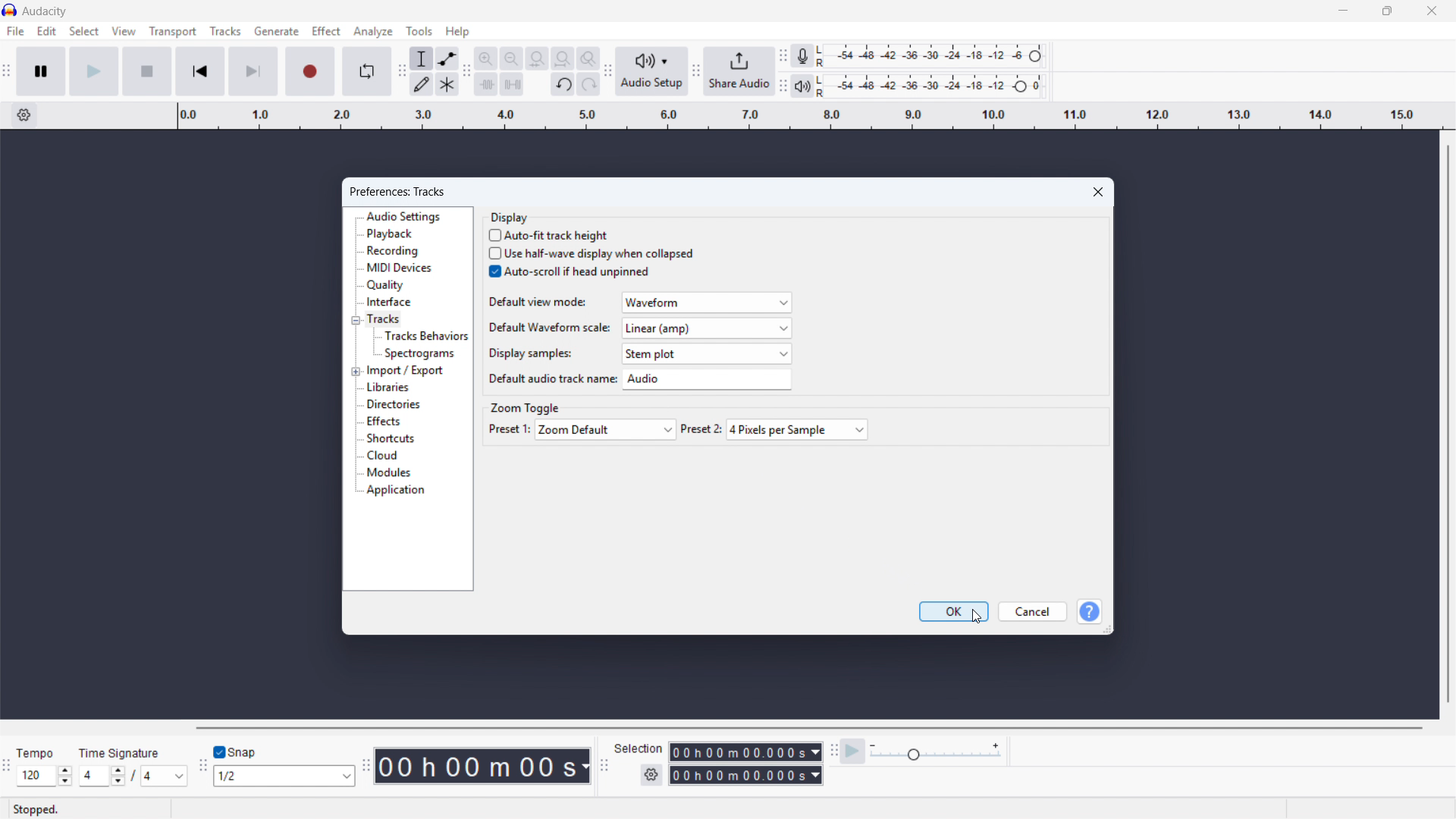 The image size is (1456, 819). What do you see at coordinates (6, 73) in the screenshot?
I see `transport toolbar` at bounding box center [6, 73].